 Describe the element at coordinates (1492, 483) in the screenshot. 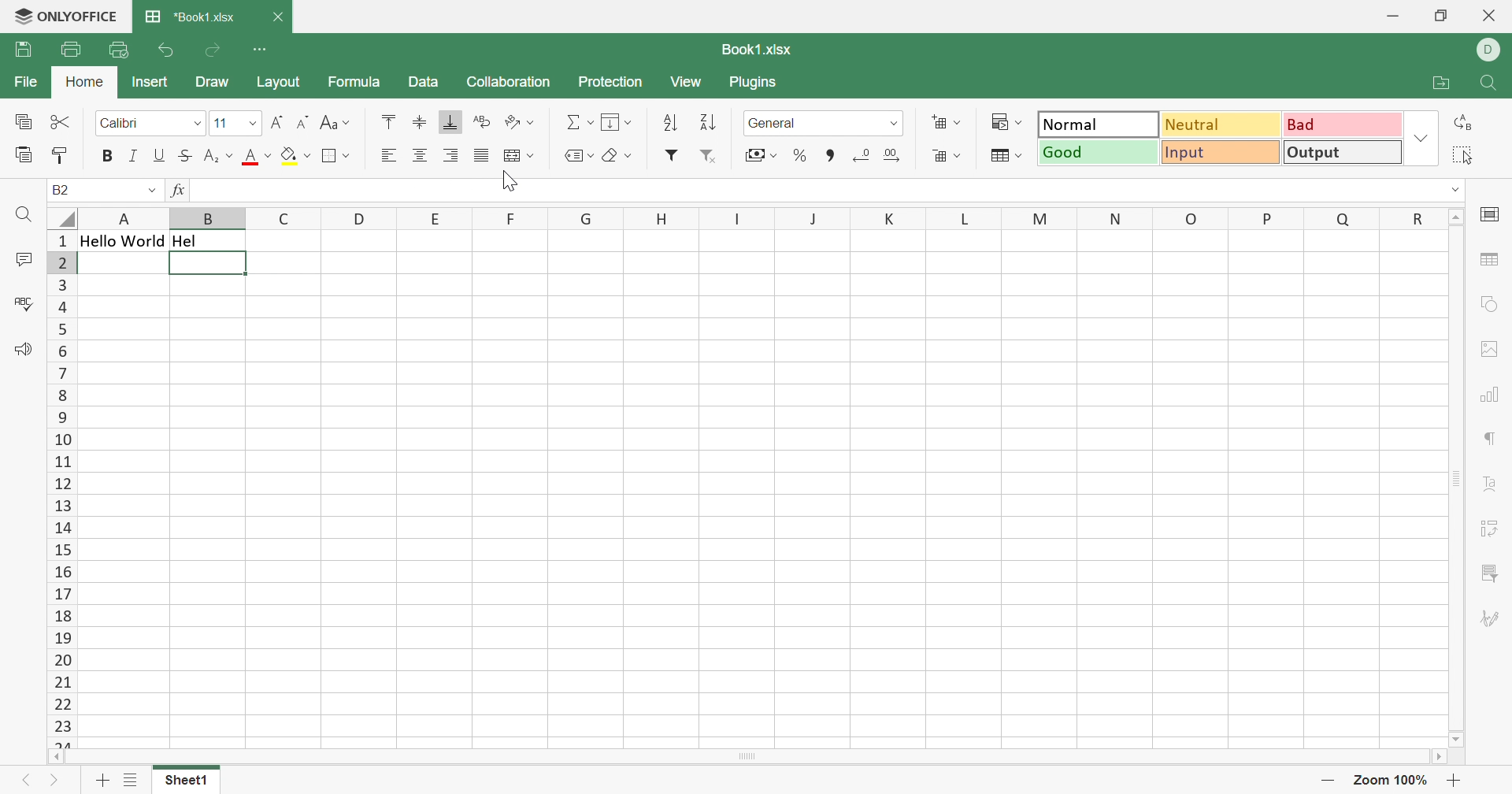

I see `Text art settings` at that location.